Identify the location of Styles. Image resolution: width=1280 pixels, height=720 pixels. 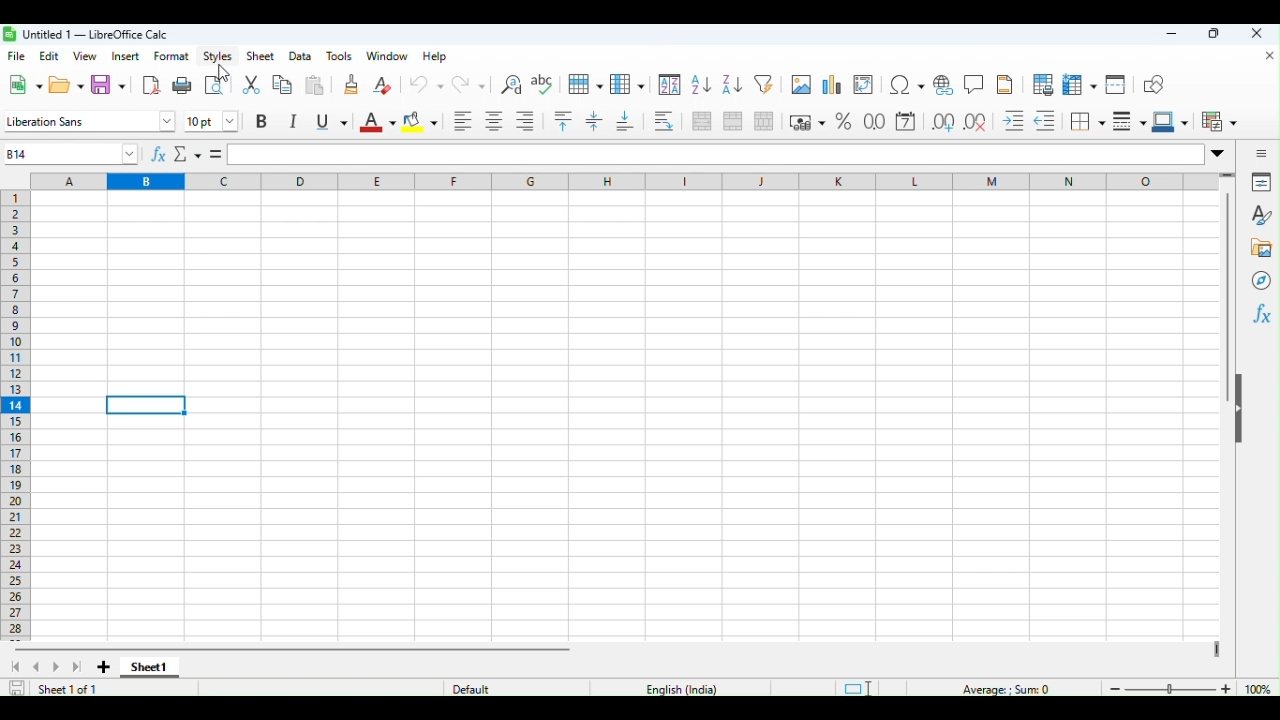
(217, 55).